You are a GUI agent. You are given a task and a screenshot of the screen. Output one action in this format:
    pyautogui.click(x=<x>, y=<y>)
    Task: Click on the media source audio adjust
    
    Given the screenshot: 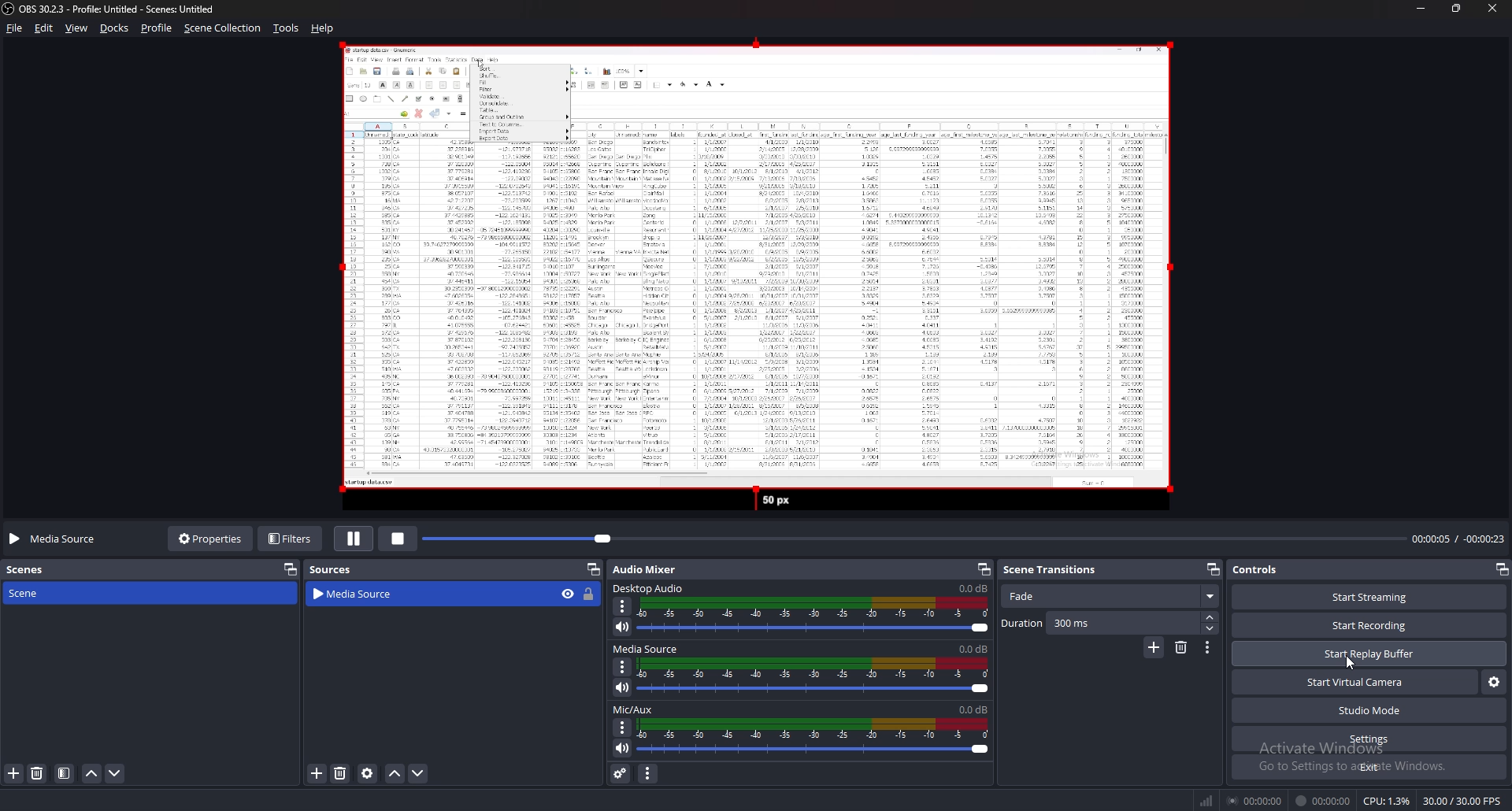 What is the action you would take?
    pyautogui.click(x=816, y=676)
    